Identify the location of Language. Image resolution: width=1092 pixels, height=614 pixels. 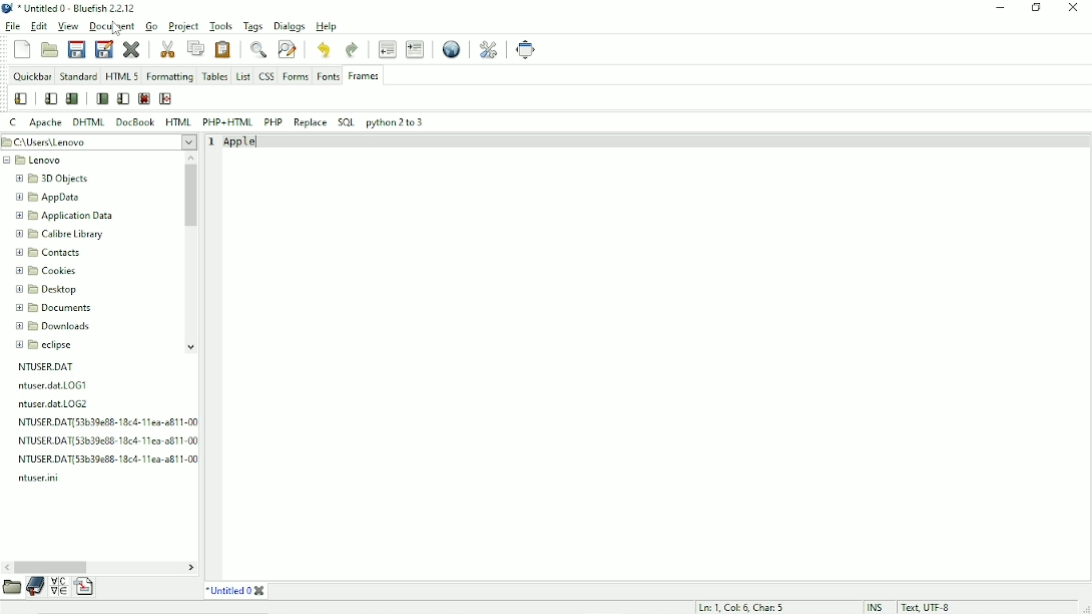
(86, 588).